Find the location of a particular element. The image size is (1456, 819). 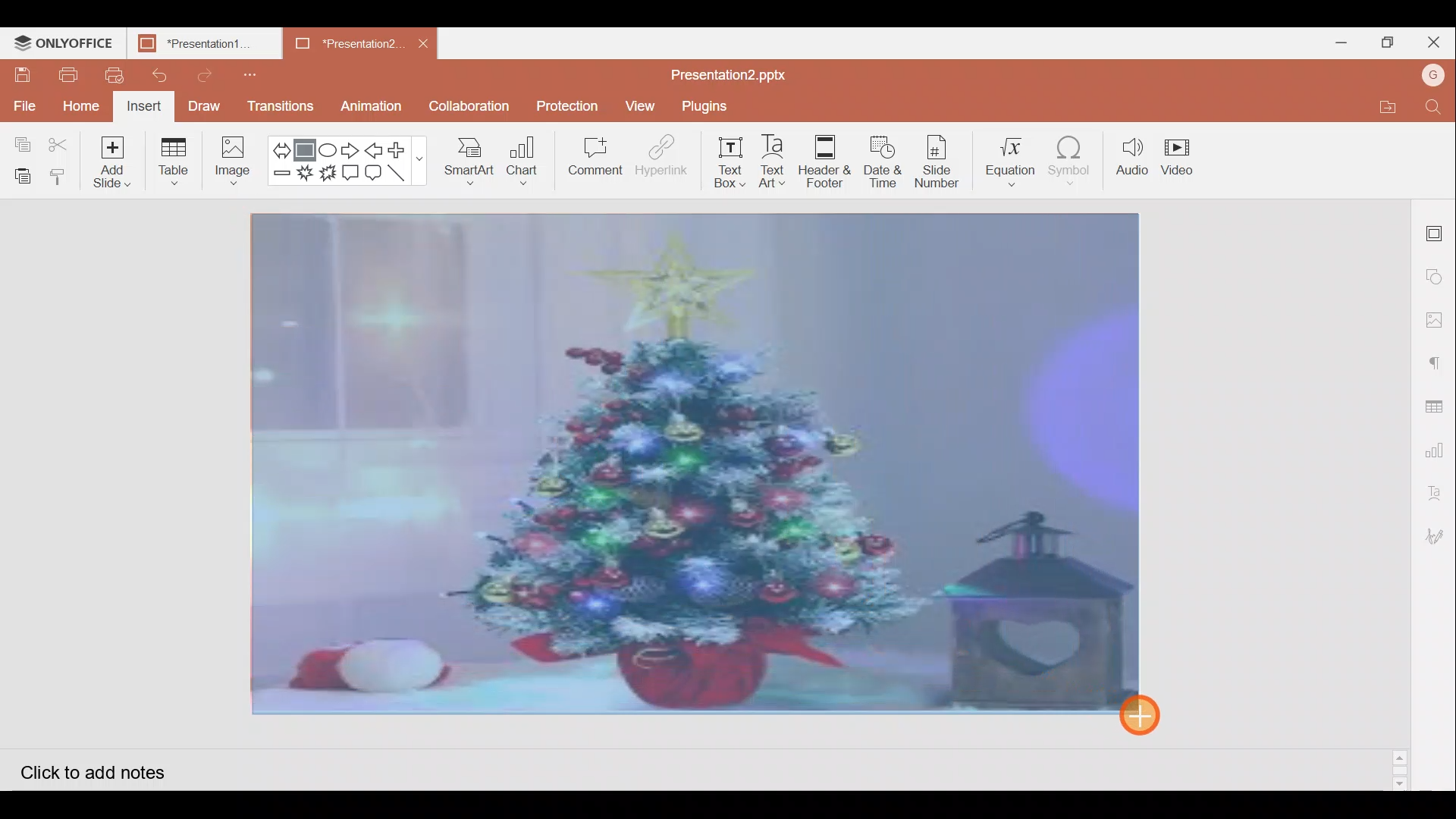

Rounded Rectangular callout is located at coordinates (375, 174).